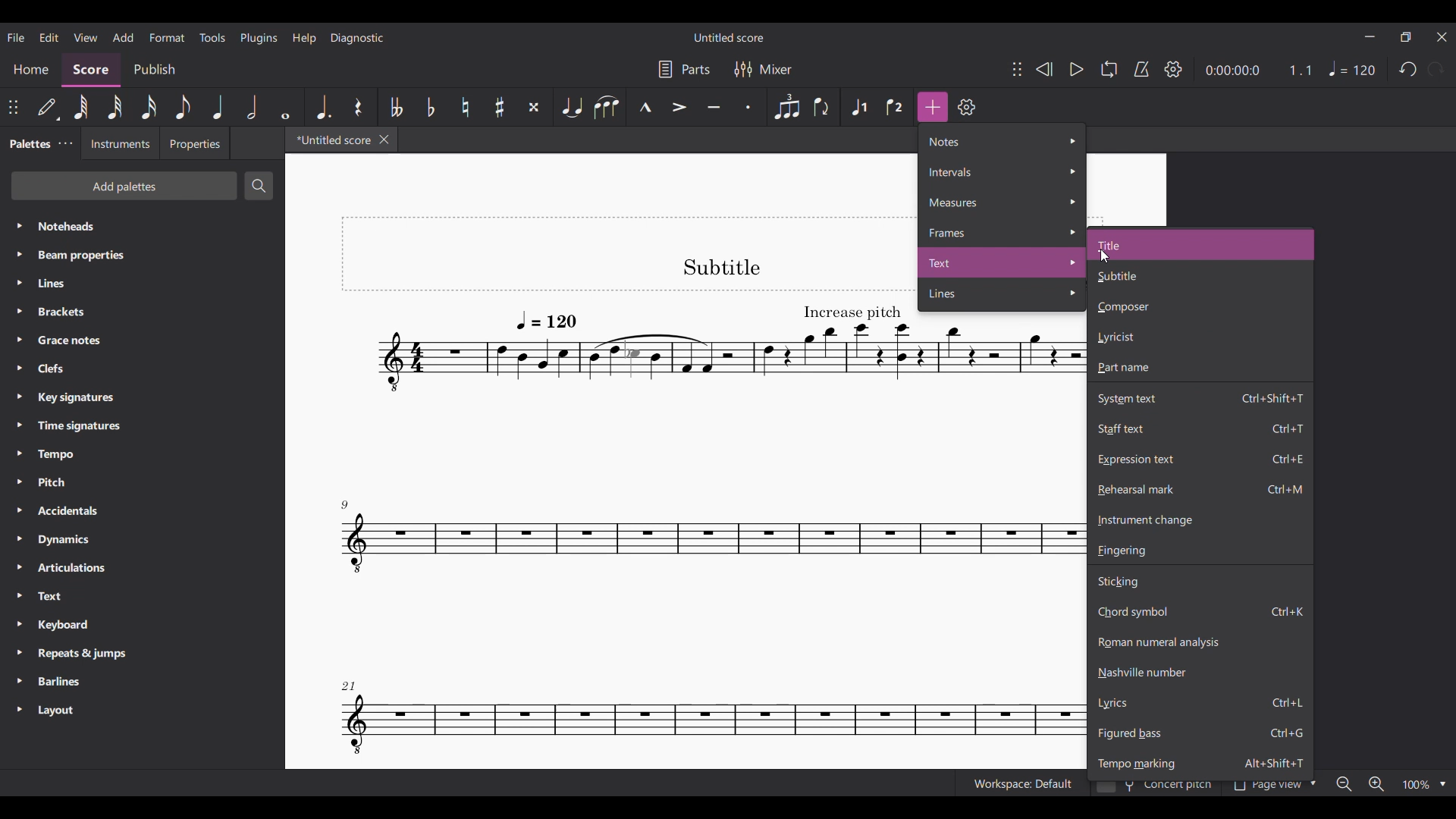 This screenshot has height=819, width=1456. What do you see at coordinates (1109, 69) in the screenshot?
I see `Loop playback` at bounding box center [1109, 69].